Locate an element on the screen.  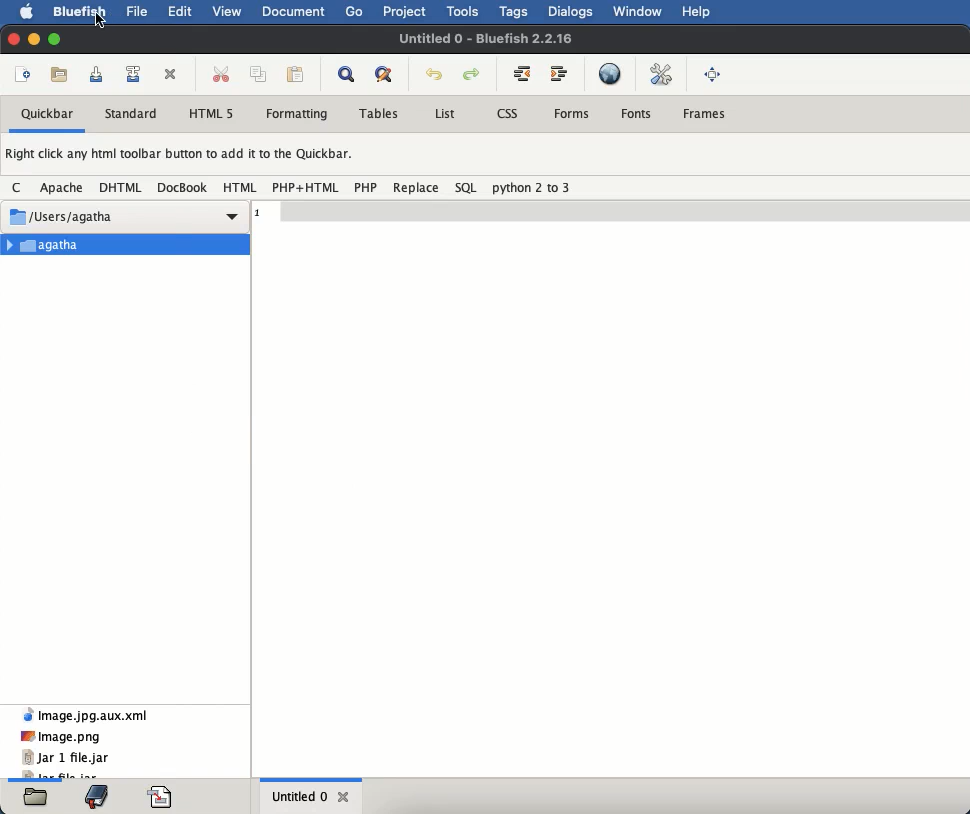
undo is located at coordinates (435, 75).